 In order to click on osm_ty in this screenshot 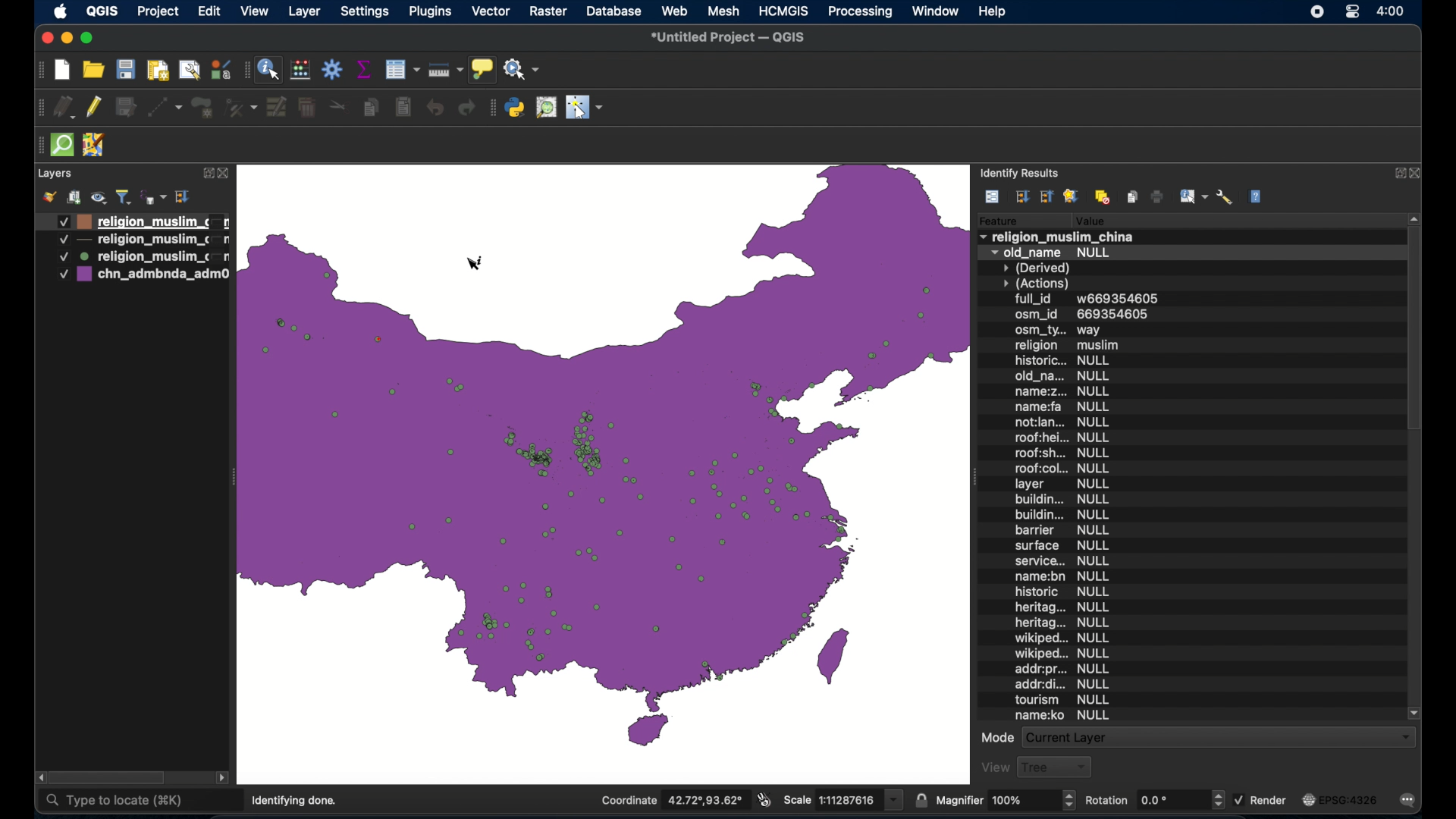, I will do `click(1062, 331)`.